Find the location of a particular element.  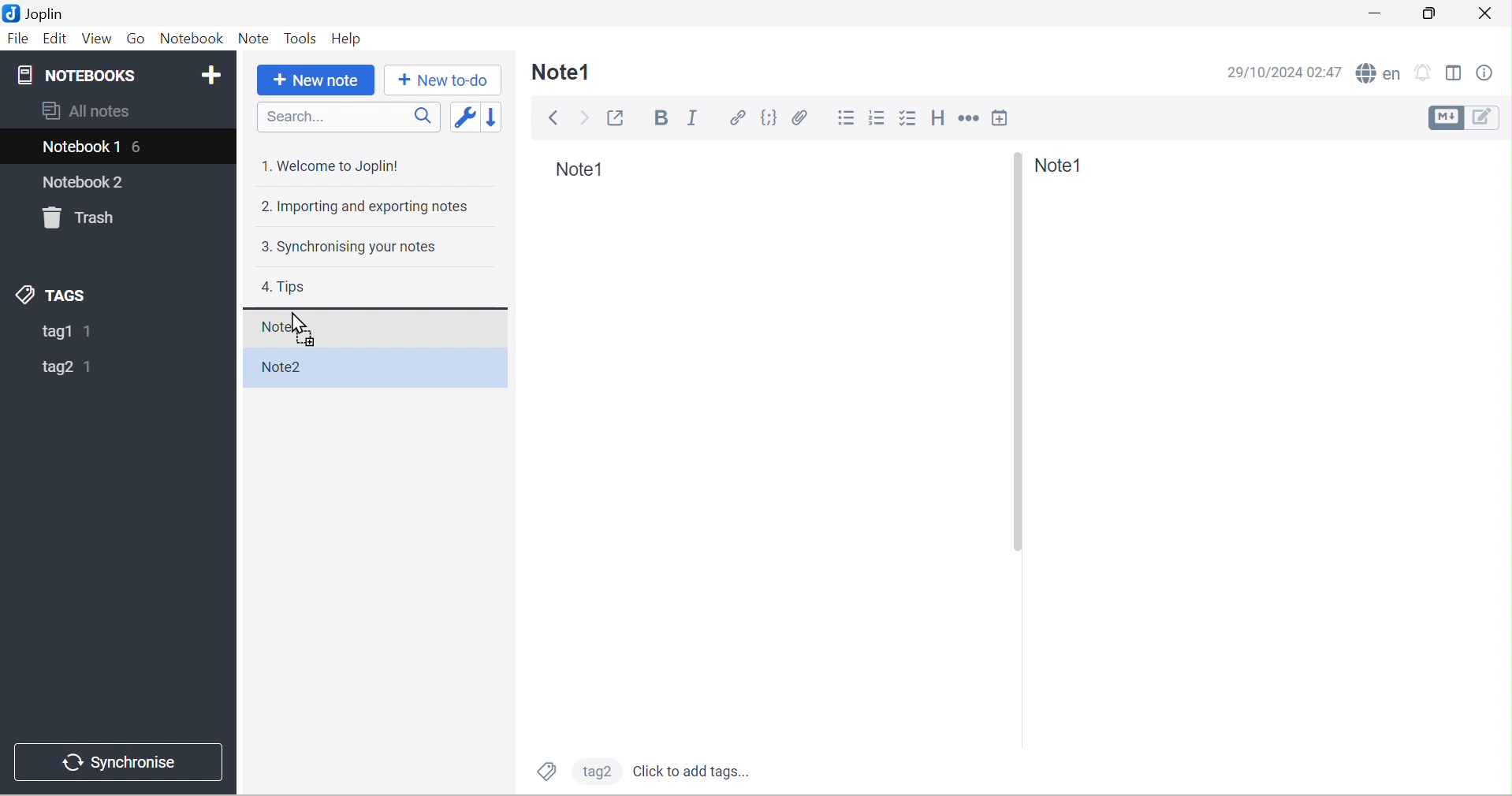

Numbered list is located at coordinates (879, 120).